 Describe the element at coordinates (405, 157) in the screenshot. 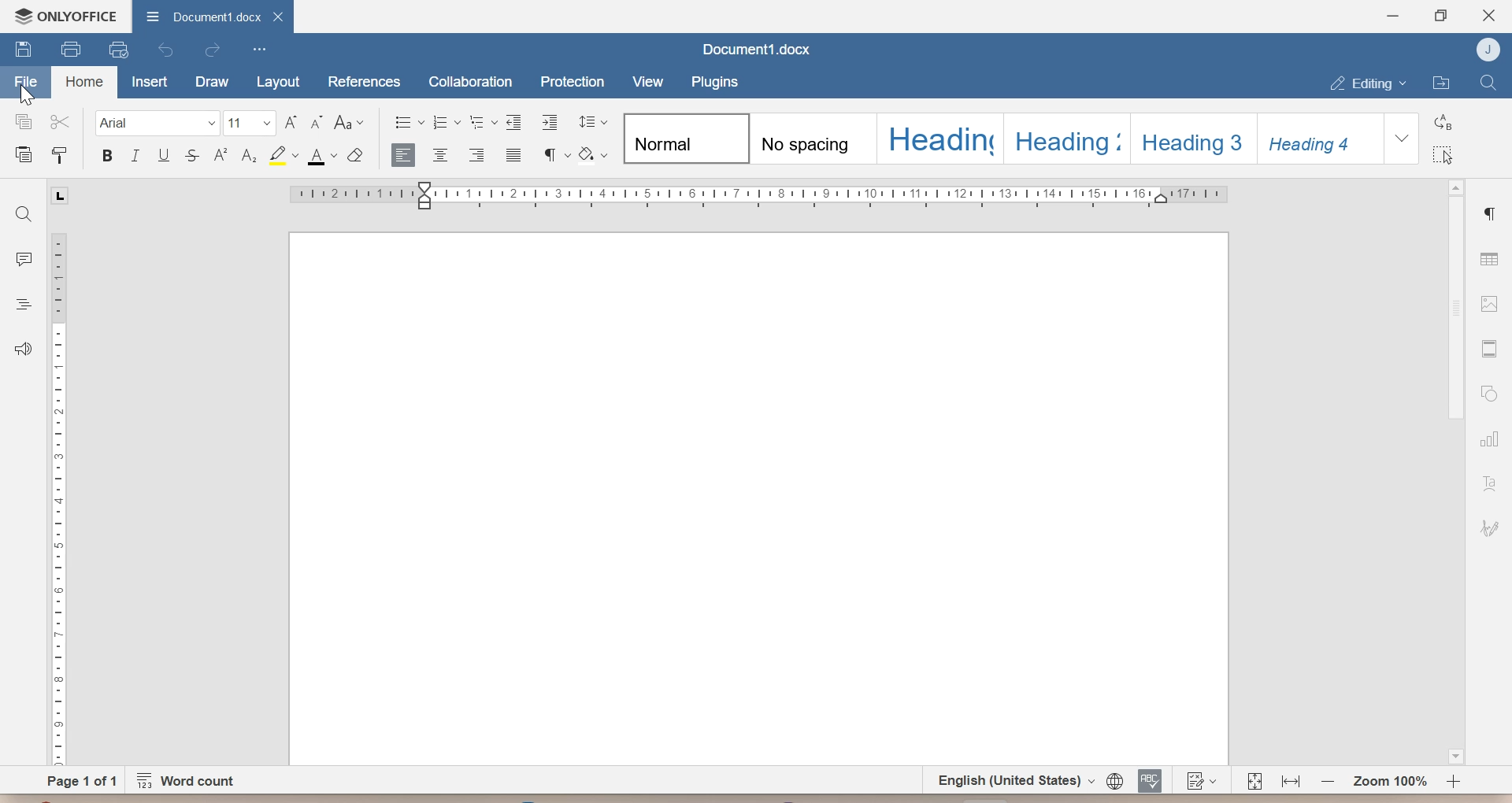

I see `Align left` at that location.